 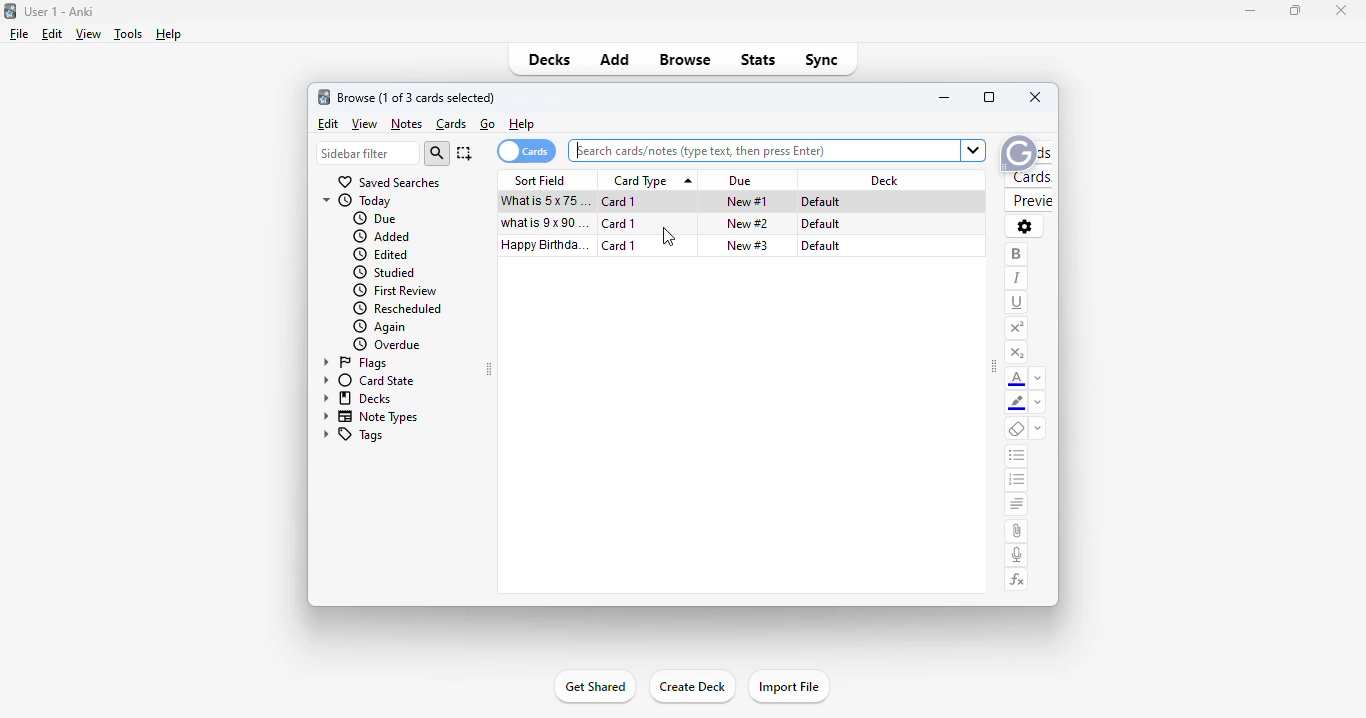 What do you see at coordinates (748, 246) in the screenshot?
I see `new #3` at bounding box center [748, 246].